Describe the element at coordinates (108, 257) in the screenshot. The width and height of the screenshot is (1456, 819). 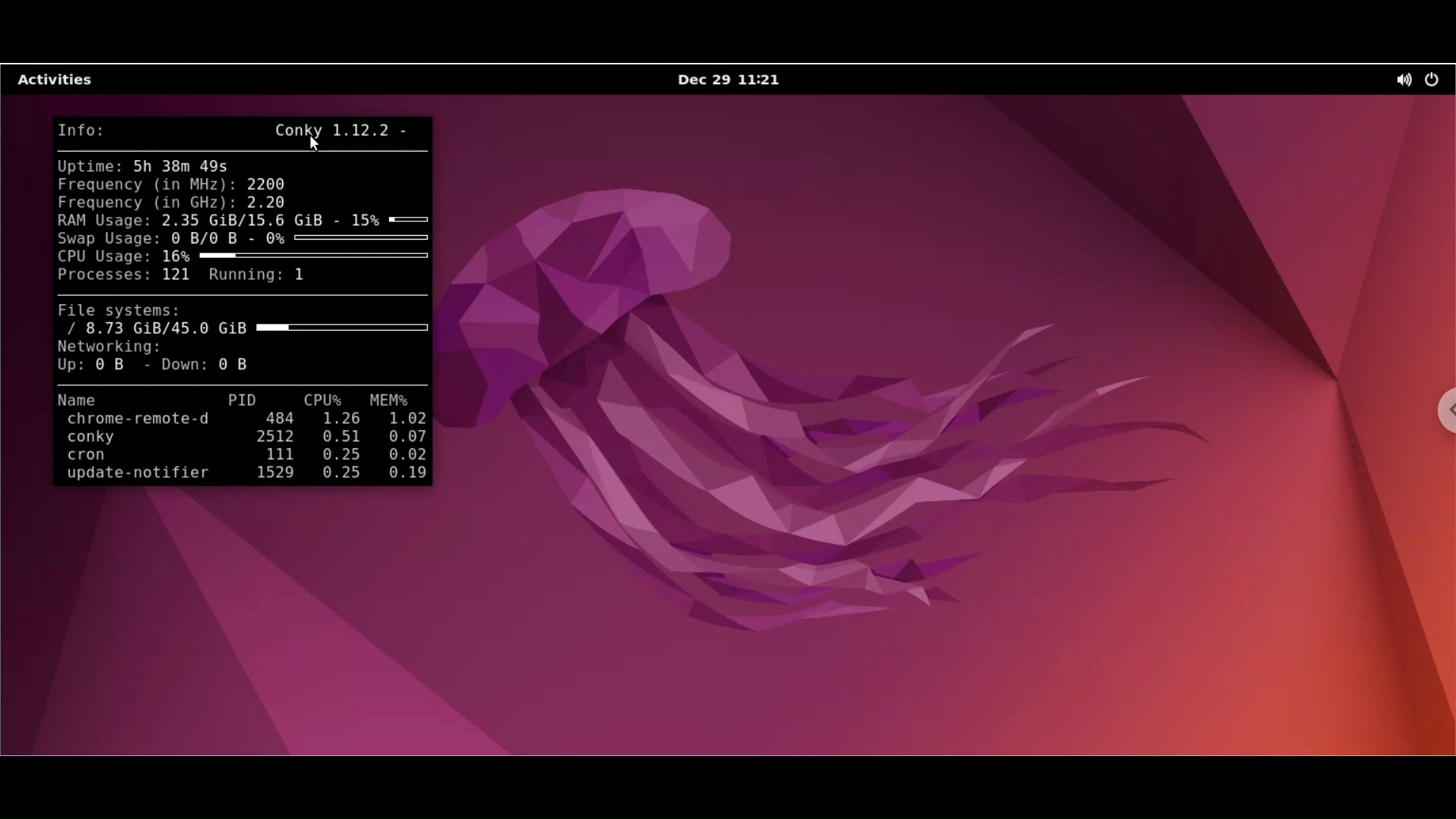
I see `CPU usage:` at that location.